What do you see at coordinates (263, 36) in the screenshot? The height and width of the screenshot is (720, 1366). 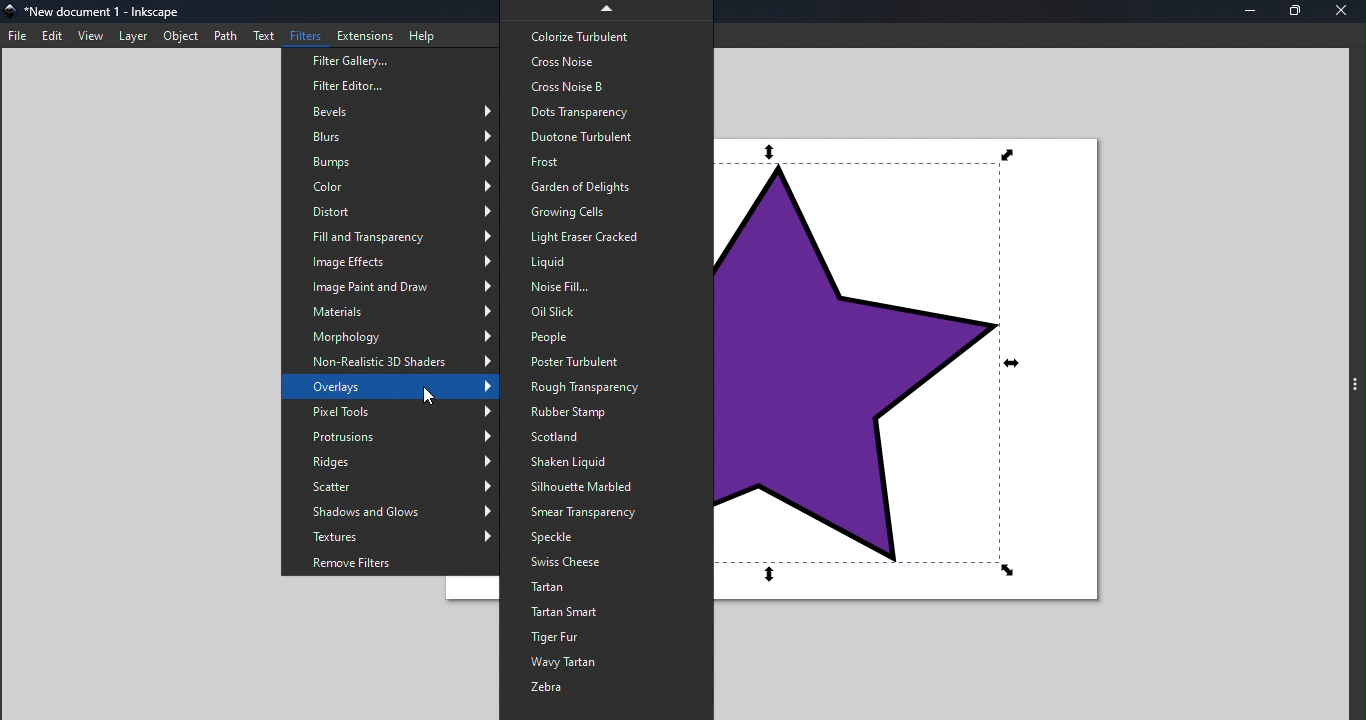 I see `Text` at bounding box center [263, 36].